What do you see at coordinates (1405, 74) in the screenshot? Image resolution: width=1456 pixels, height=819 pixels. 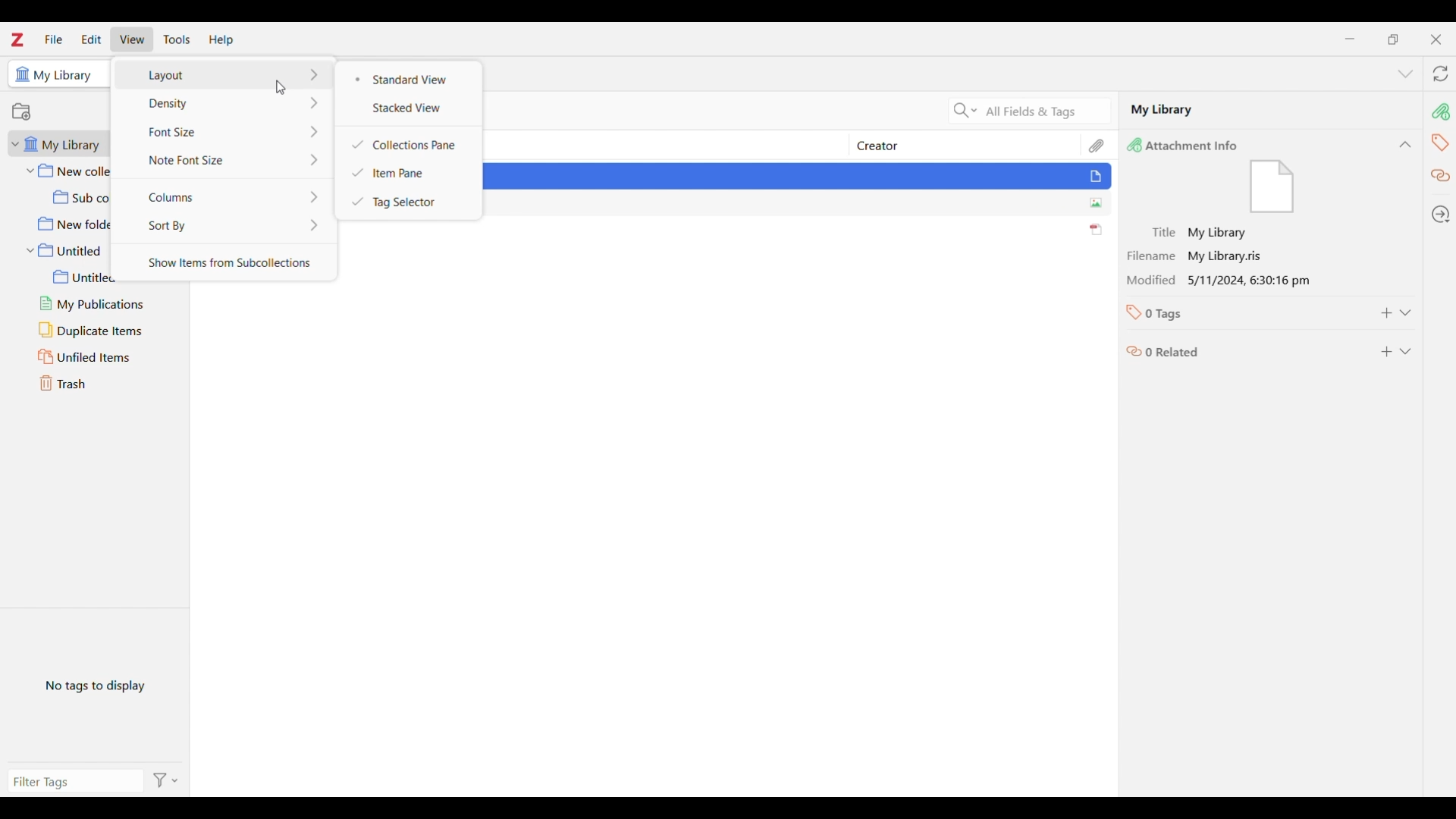 I see `List all tabs` at bounding box center [1405, 74].